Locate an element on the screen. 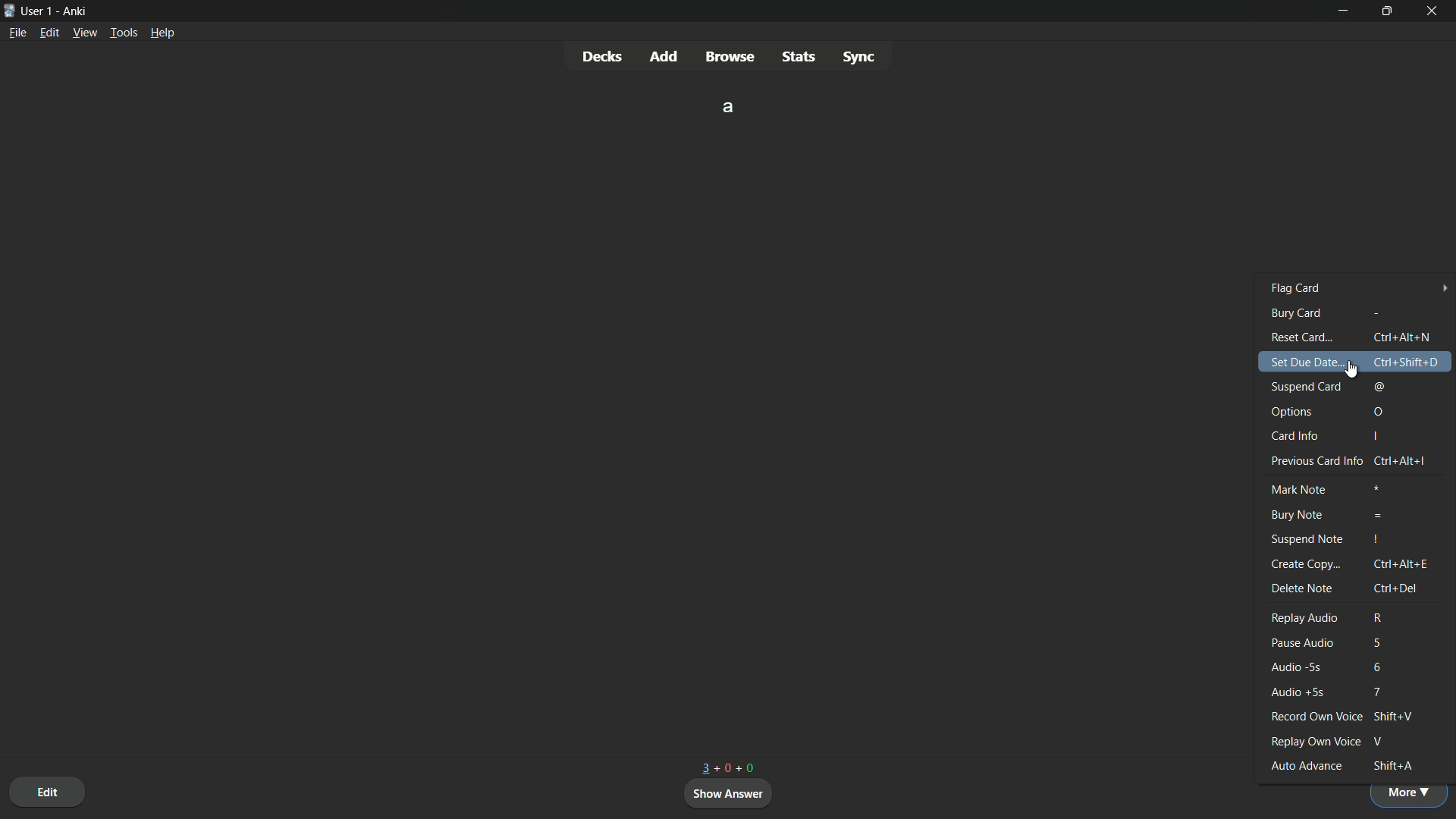  +0 is located at coordinates (746, 766).